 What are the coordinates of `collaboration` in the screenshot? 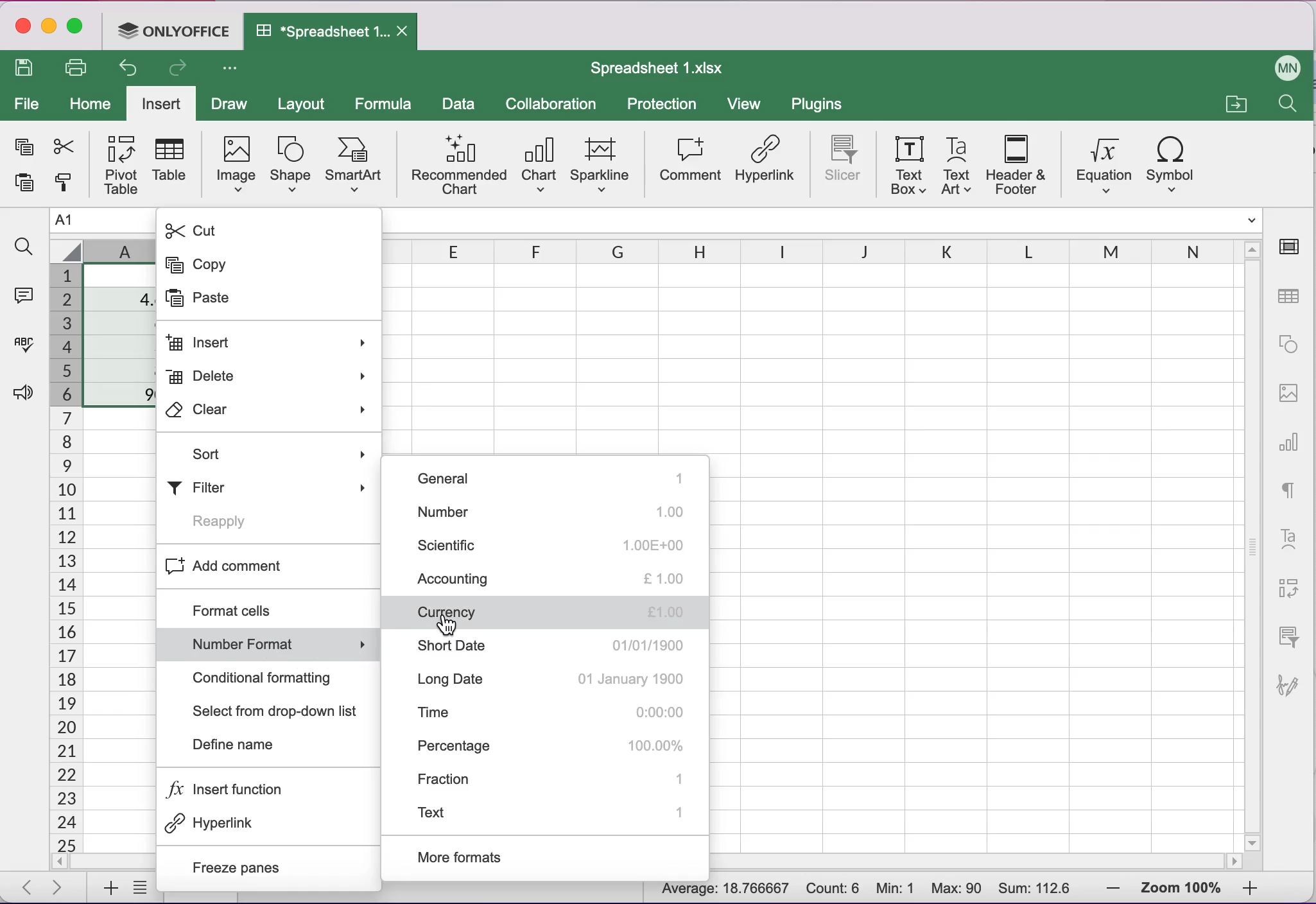 It's located at (553, 103).